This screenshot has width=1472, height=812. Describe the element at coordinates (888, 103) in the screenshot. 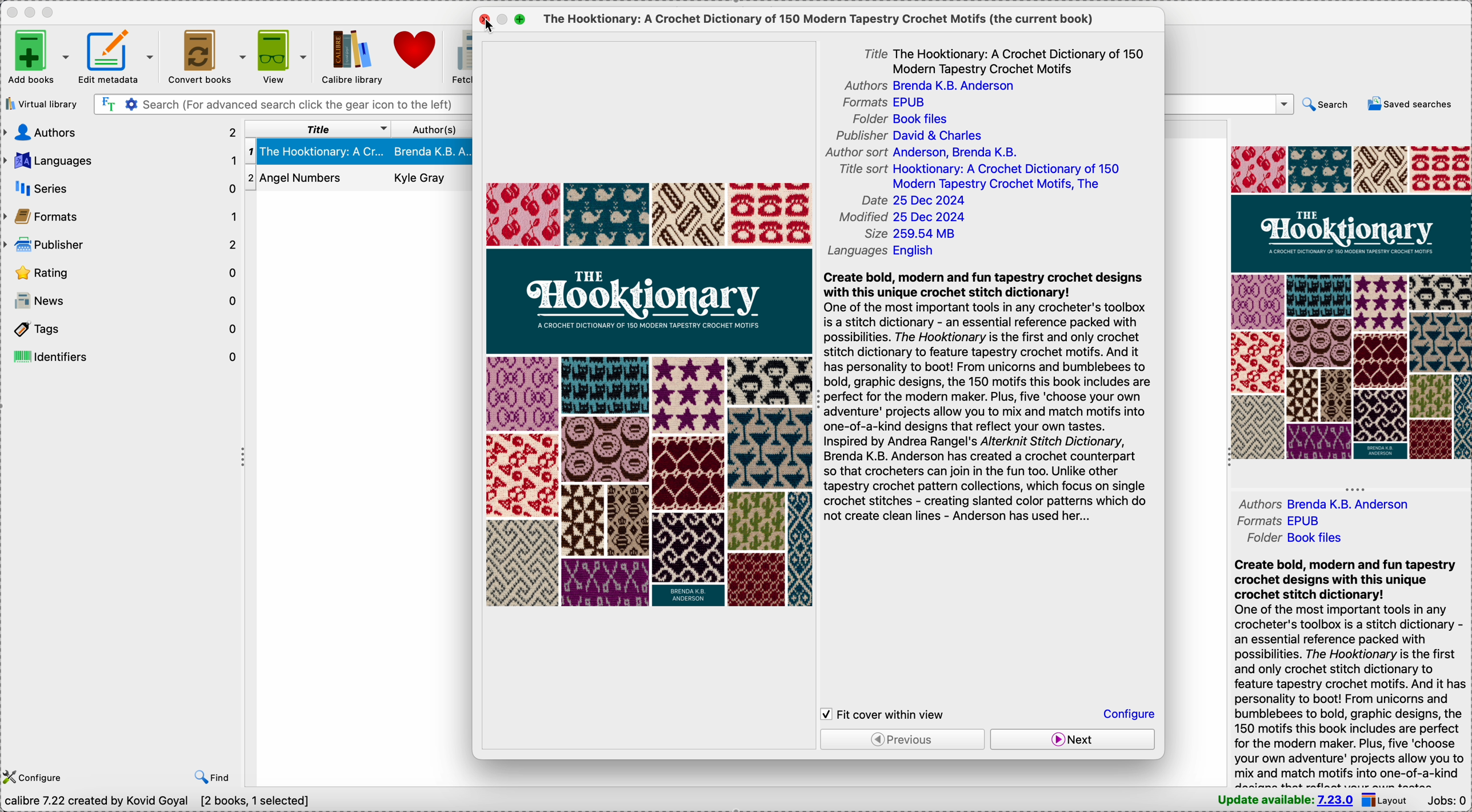

I see `formats` at that location.